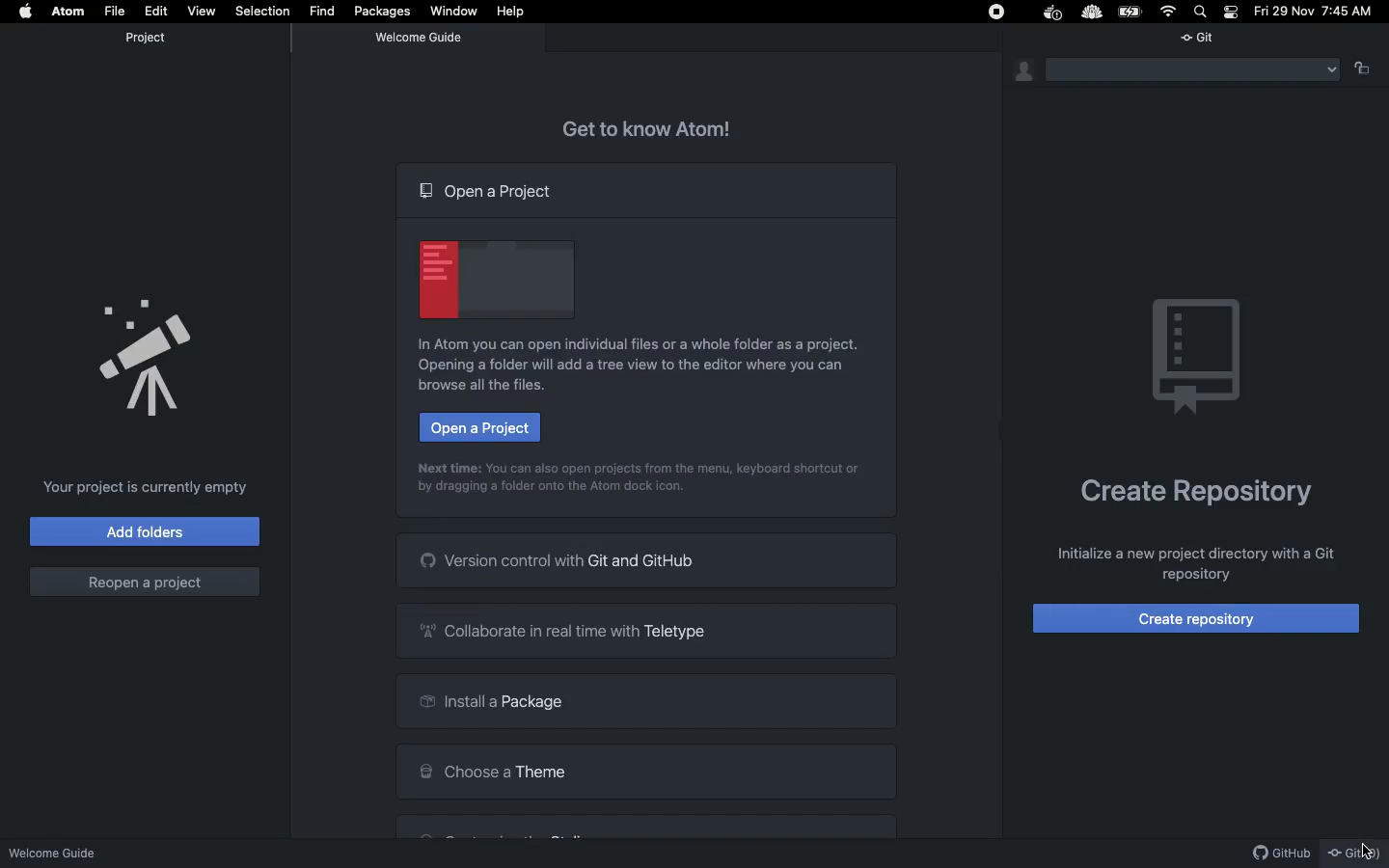 This screenshot has height=868, width=1389. What do you see at coordinates (1193, 70) in the screenshot?
I see `Menu` at bounding box center [1193, 70].